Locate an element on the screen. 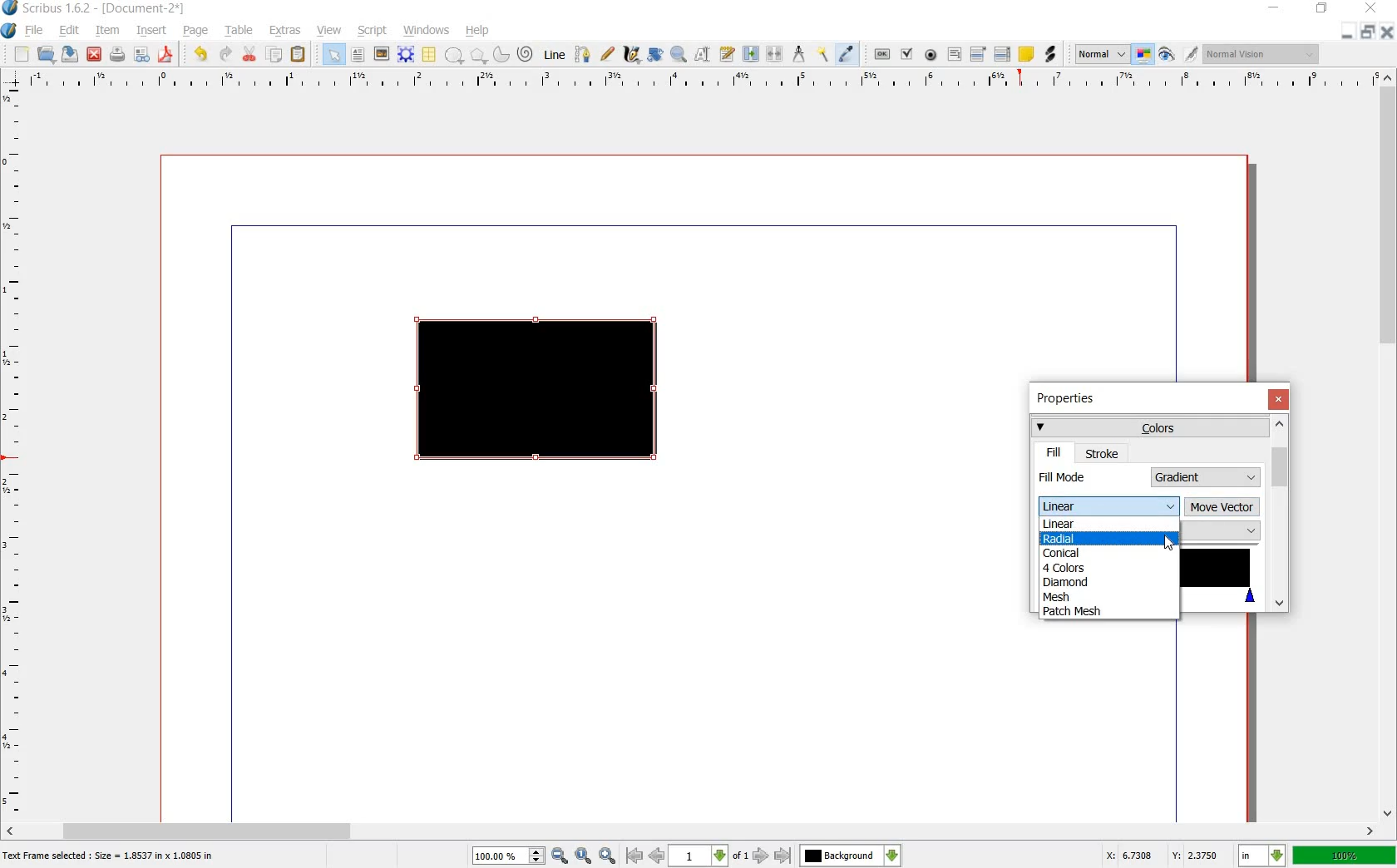 The image size is (1397, 868). properties is located at coordinates (1071, 400).